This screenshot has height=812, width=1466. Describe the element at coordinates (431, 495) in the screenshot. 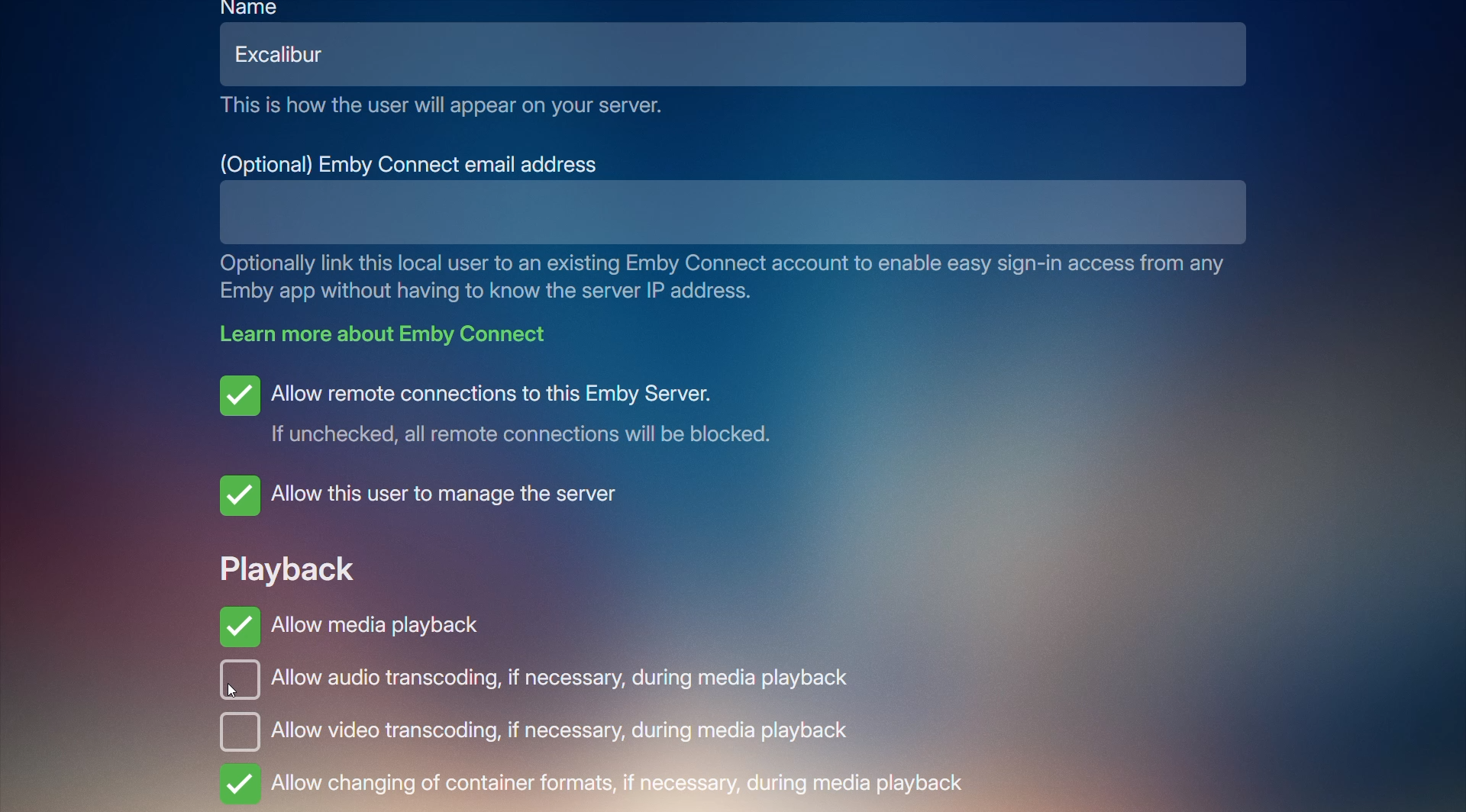

I see `Allow this user to manage the server` at that location.